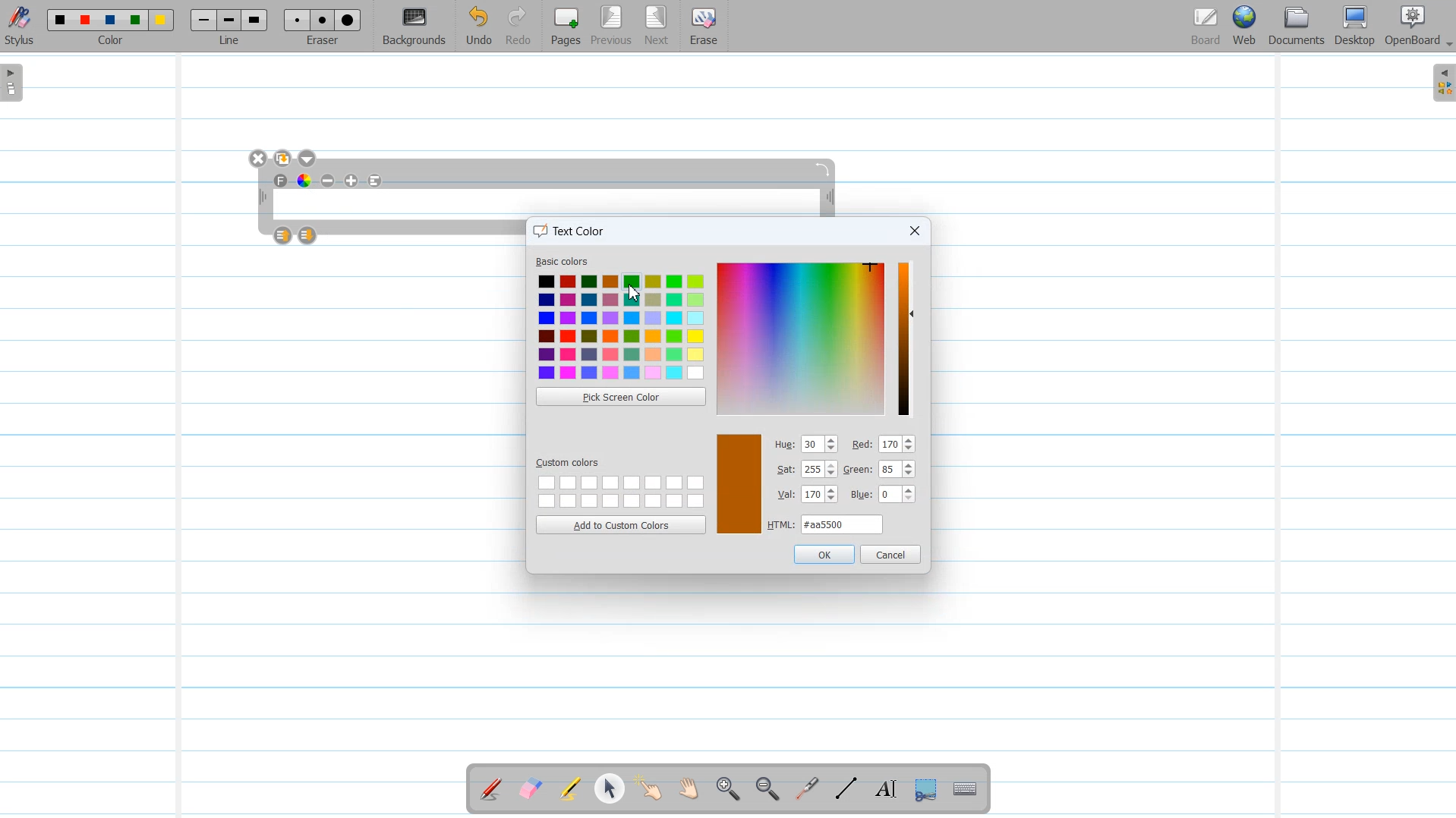  Describe the element at coordinates (304, 180) in the screenshot. I see `Text Color` at that location.